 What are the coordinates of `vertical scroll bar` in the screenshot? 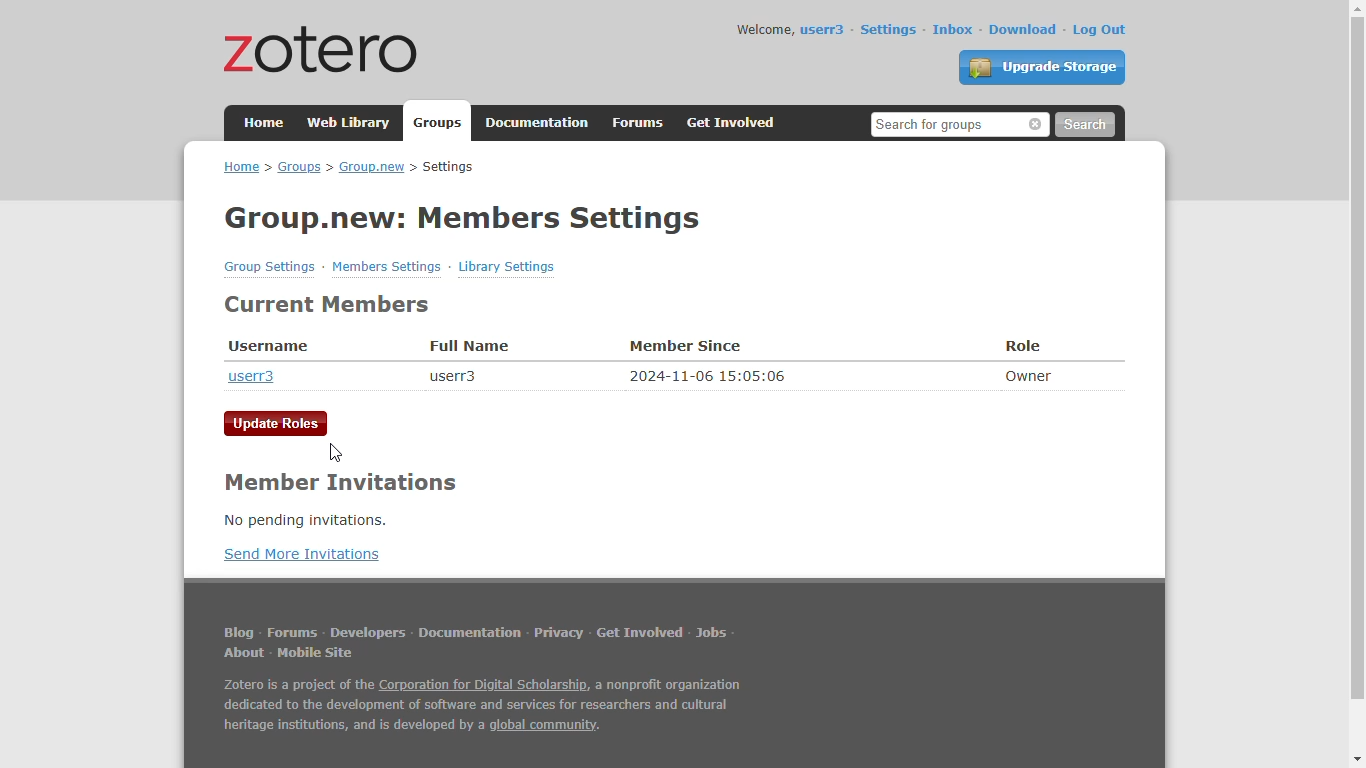 It's located at (1355, 359).